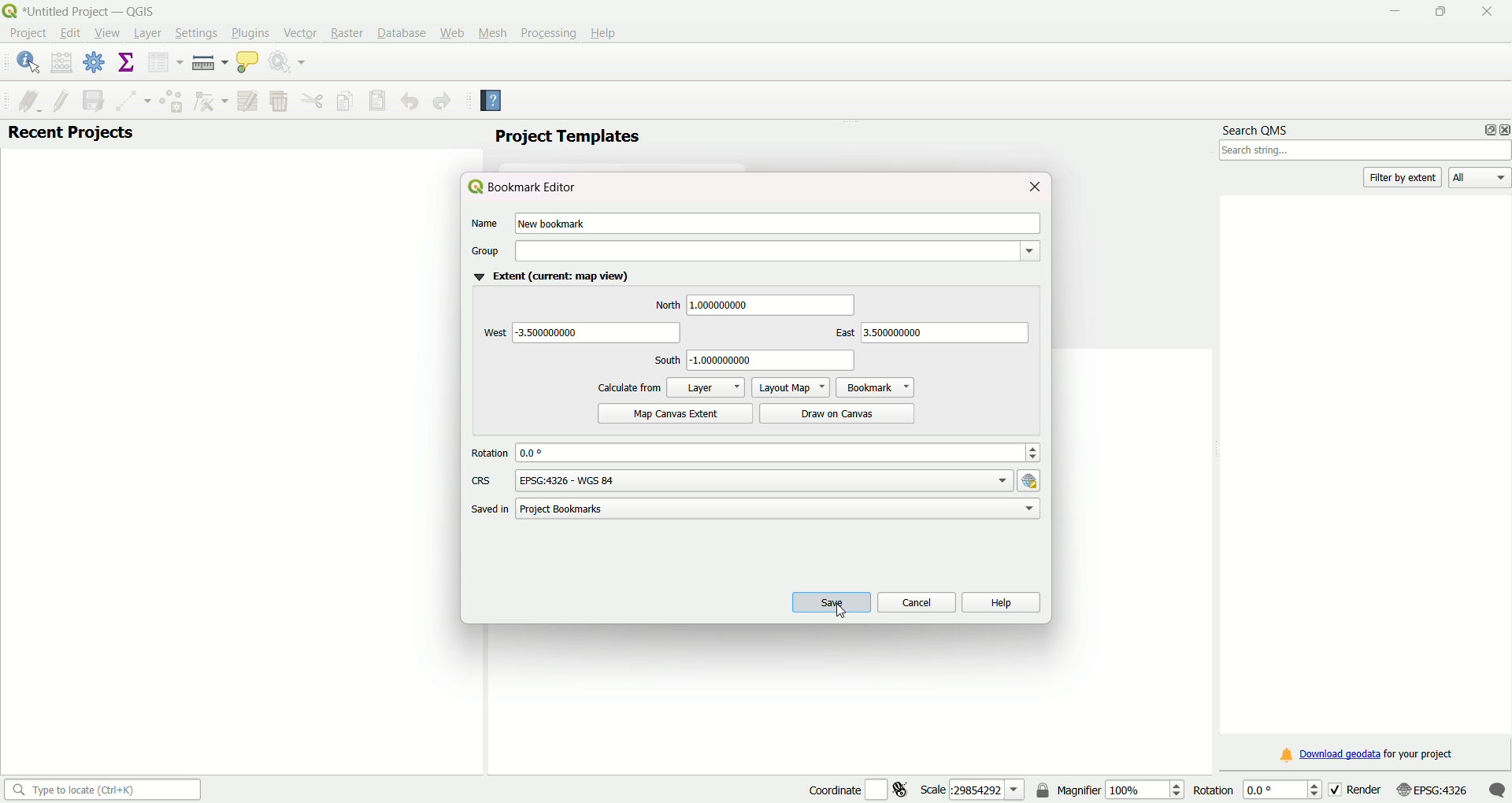  I want to click on toolbox, so click(95, 65).